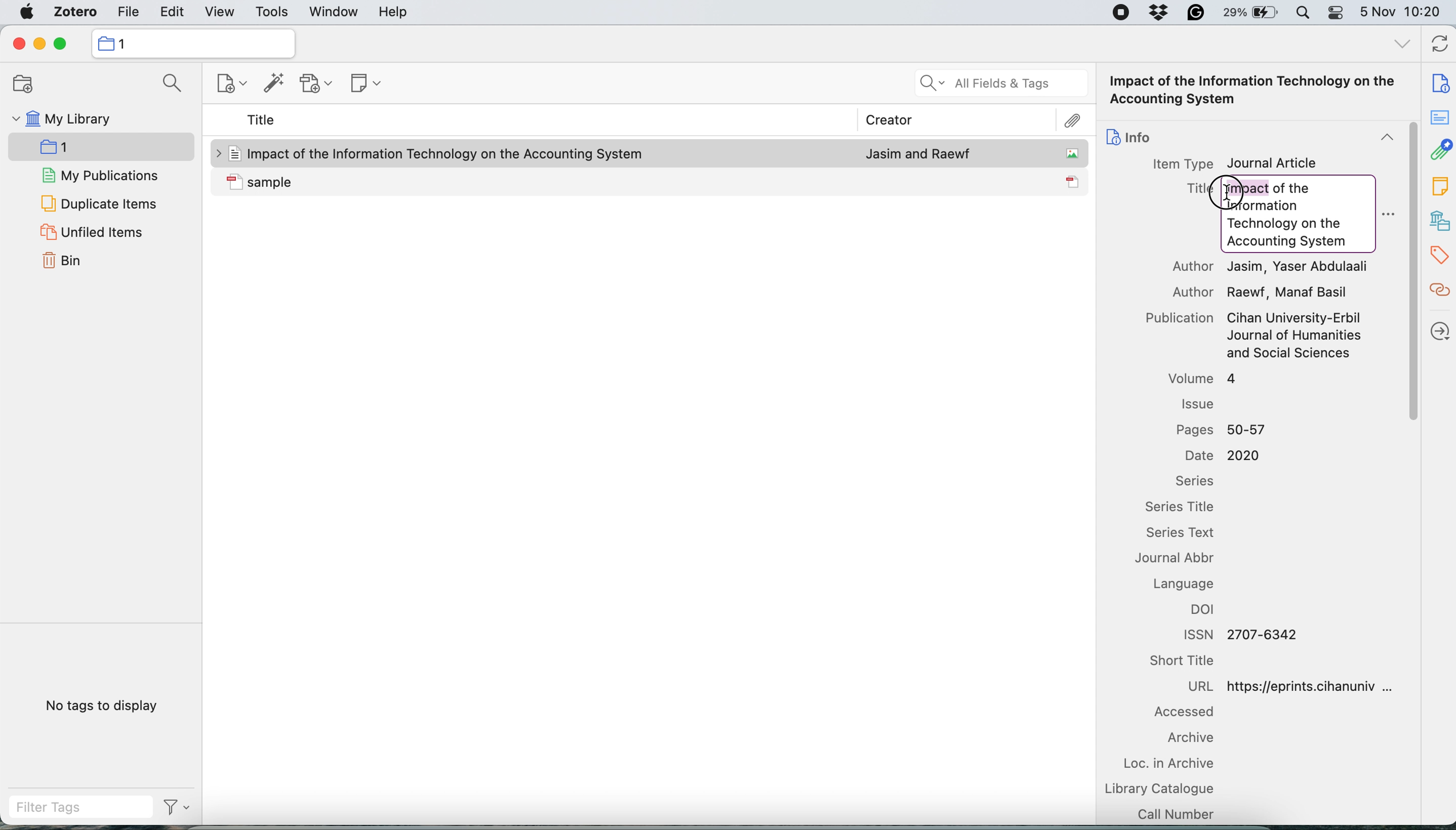 This screenshot has height=830, width=1456. I want to click on bin, so click(63, 262).